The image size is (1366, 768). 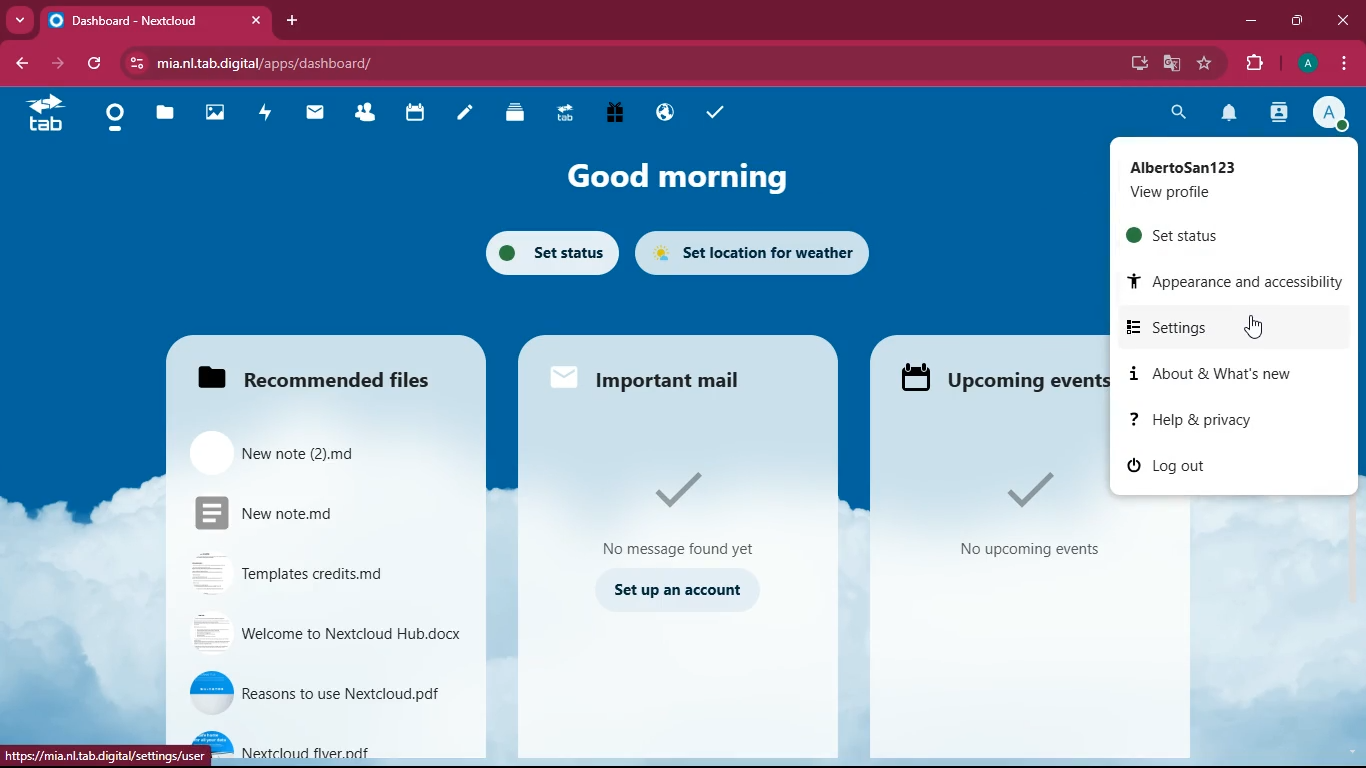 I want to click on reasons to use nextcloud.pdf, so click(x=318, y=694).